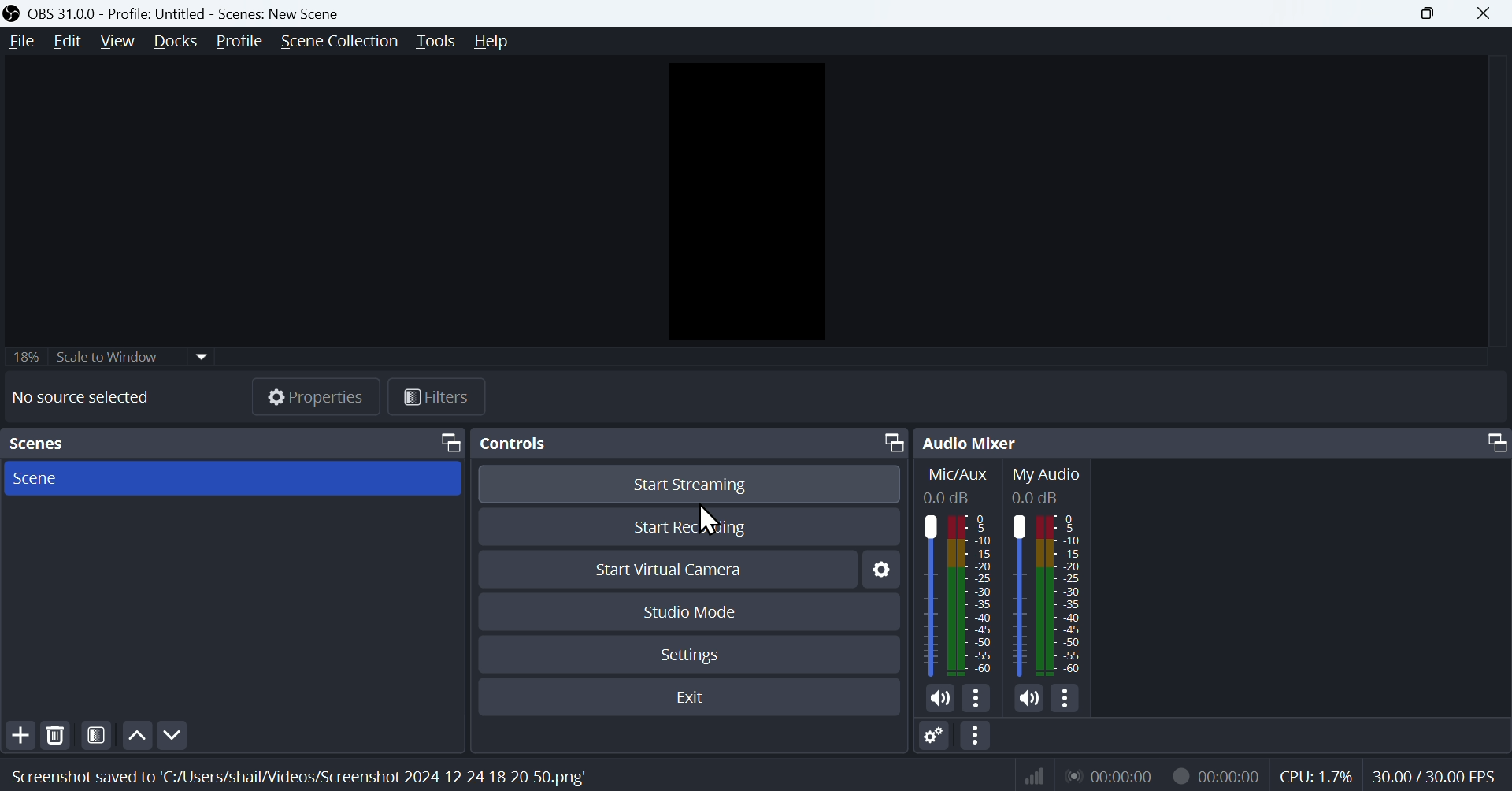  I want to click on Help, so click(494, 43).